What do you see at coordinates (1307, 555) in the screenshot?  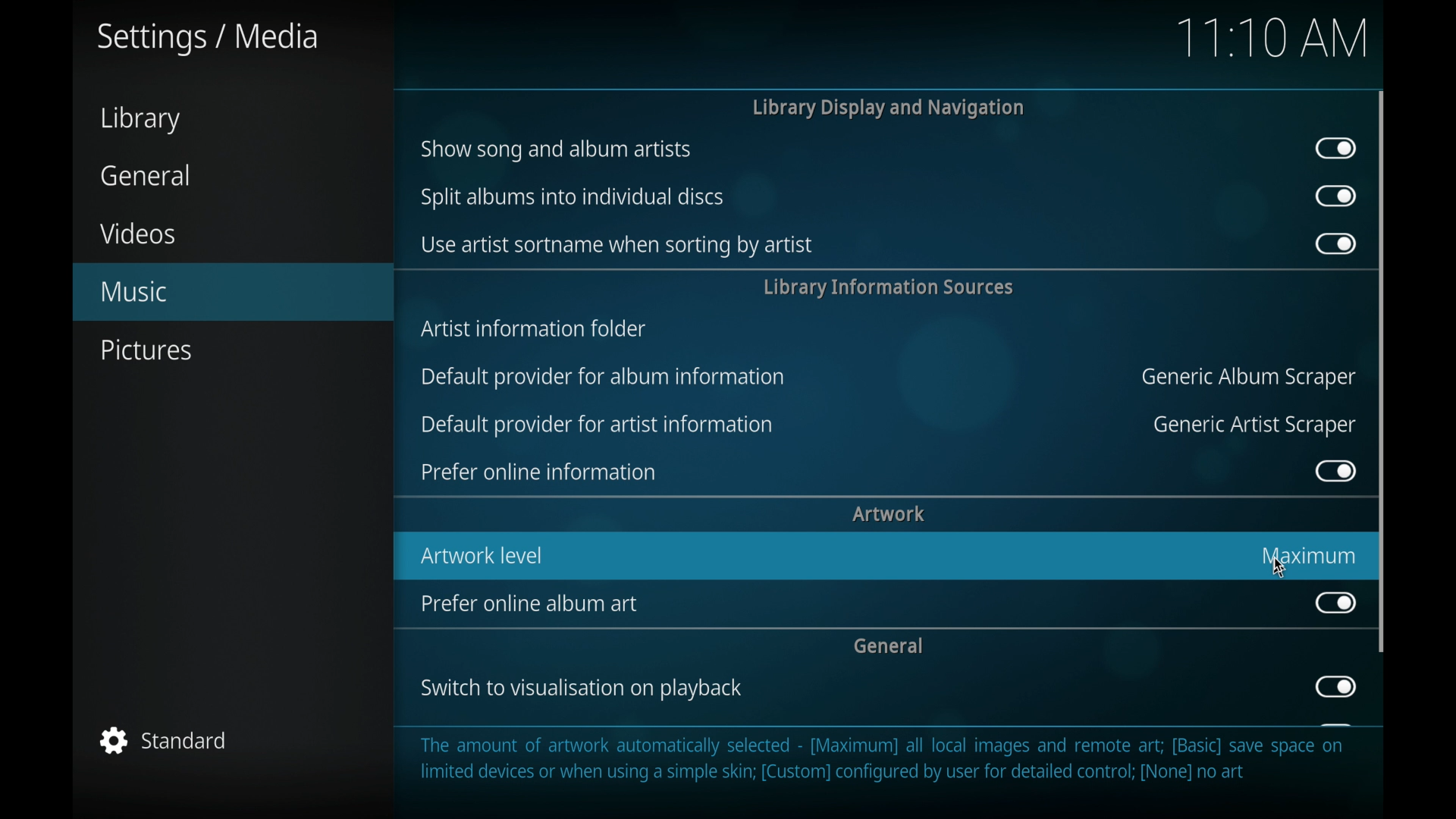 I see `maximum` at bounding box center [1307, 555].